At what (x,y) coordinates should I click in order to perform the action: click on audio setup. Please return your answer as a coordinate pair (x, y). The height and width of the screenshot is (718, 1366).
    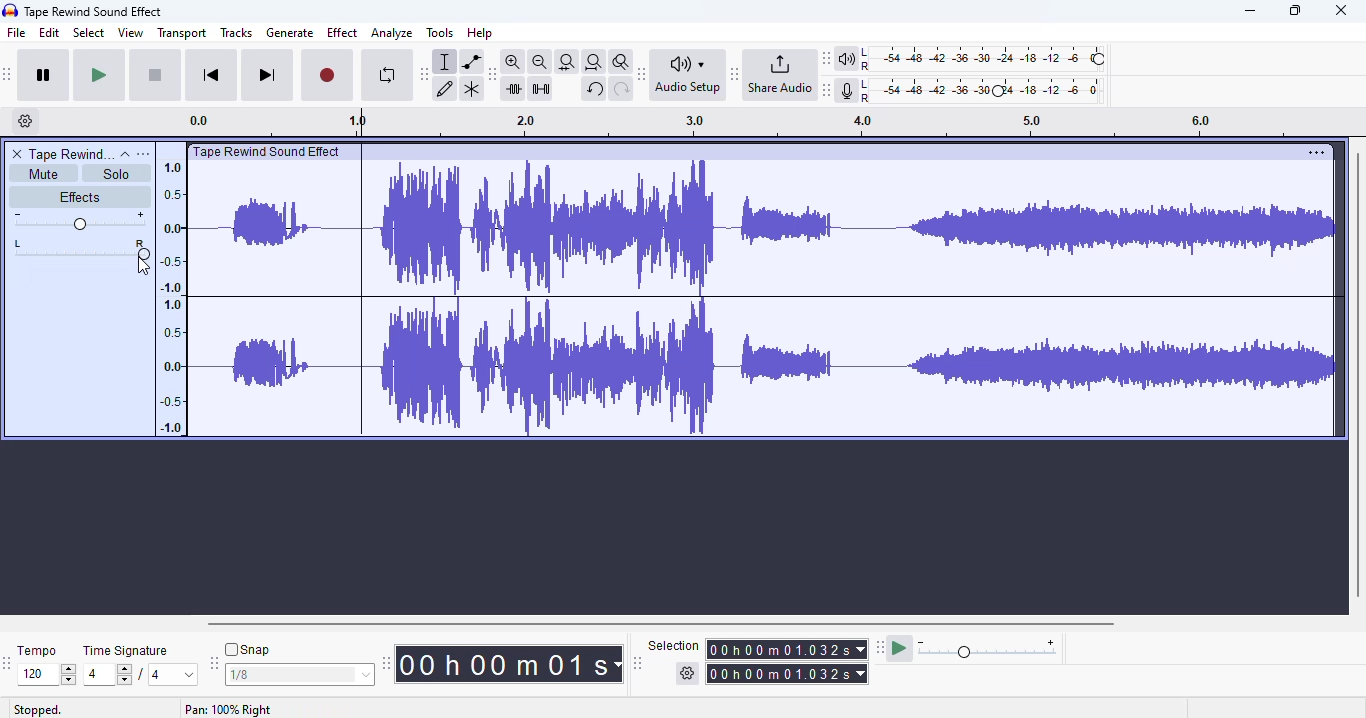
    Looking at the image, I should click on (691, 75).